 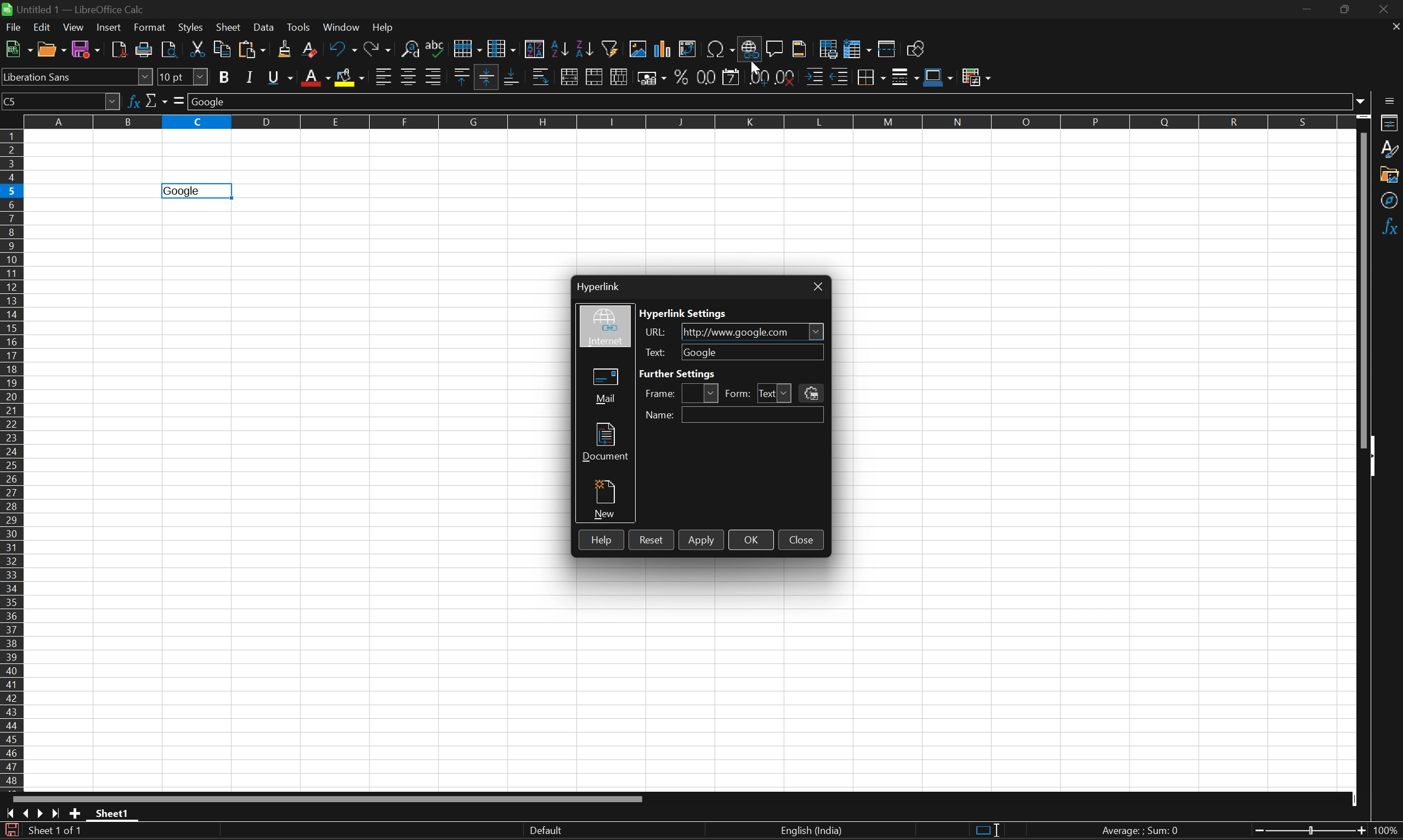 What do you see at coordinates (1361, 100) in the screenshot?
I see `Drop down` at bounding box center [1361, 100].